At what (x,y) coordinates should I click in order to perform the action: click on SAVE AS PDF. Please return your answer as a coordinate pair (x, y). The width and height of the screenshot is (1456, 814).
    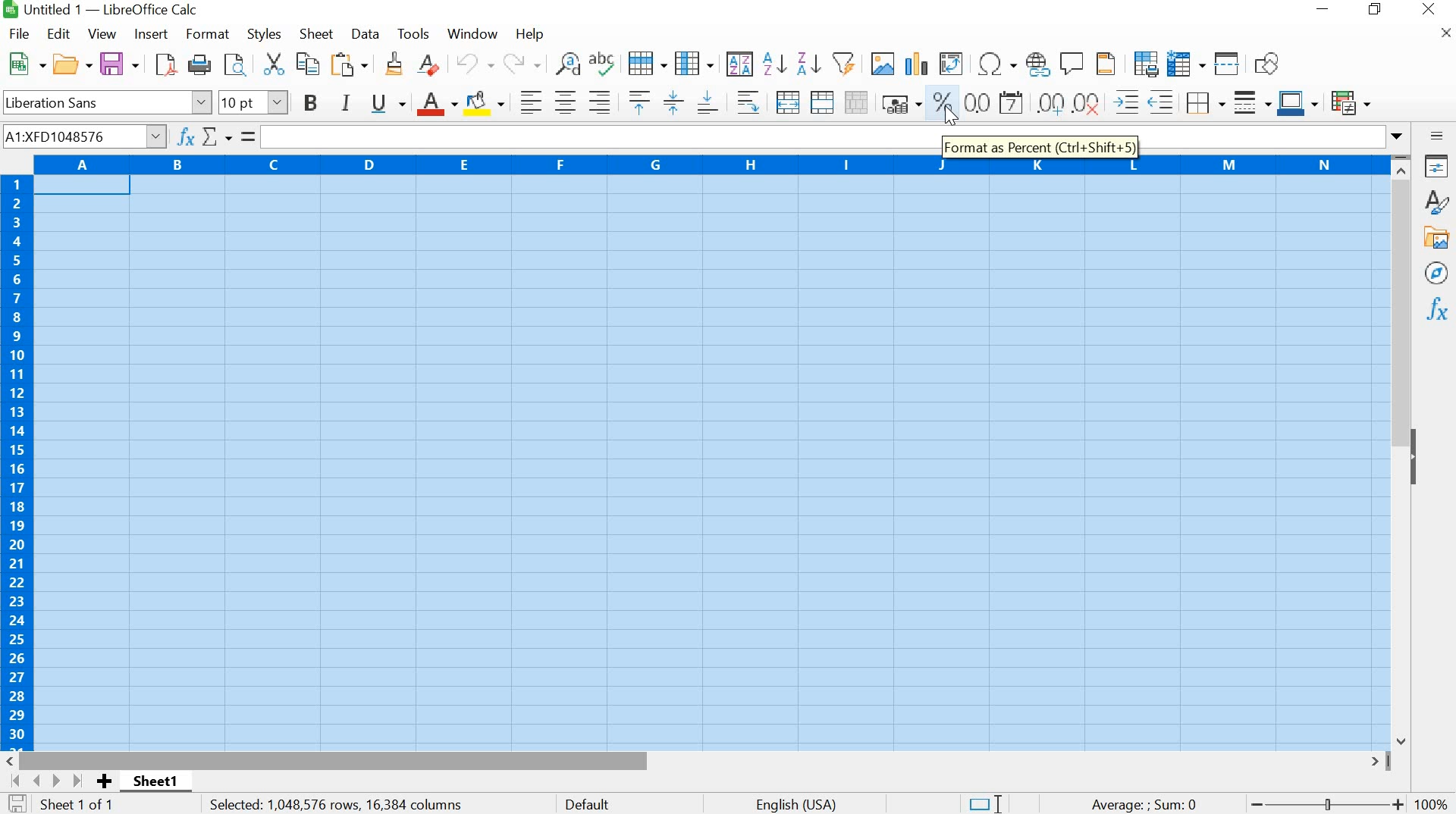
    Looking at the image, I should click on (163, 66).